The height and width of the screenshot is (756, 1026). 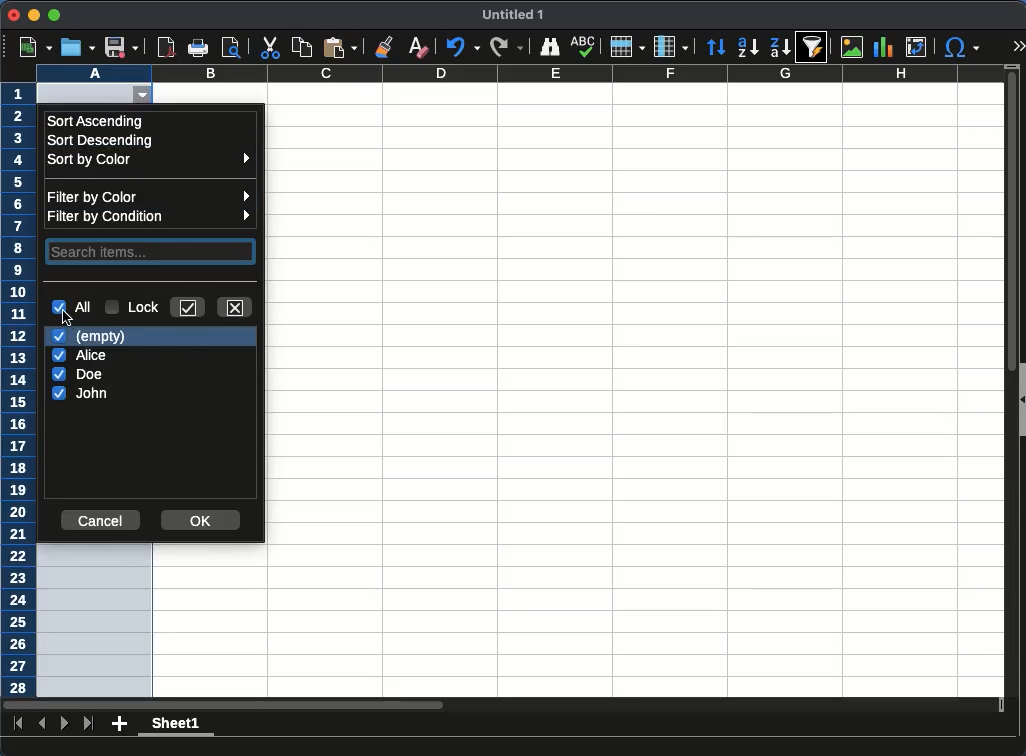 I want to click on maximize, so click(x=53, y=15).